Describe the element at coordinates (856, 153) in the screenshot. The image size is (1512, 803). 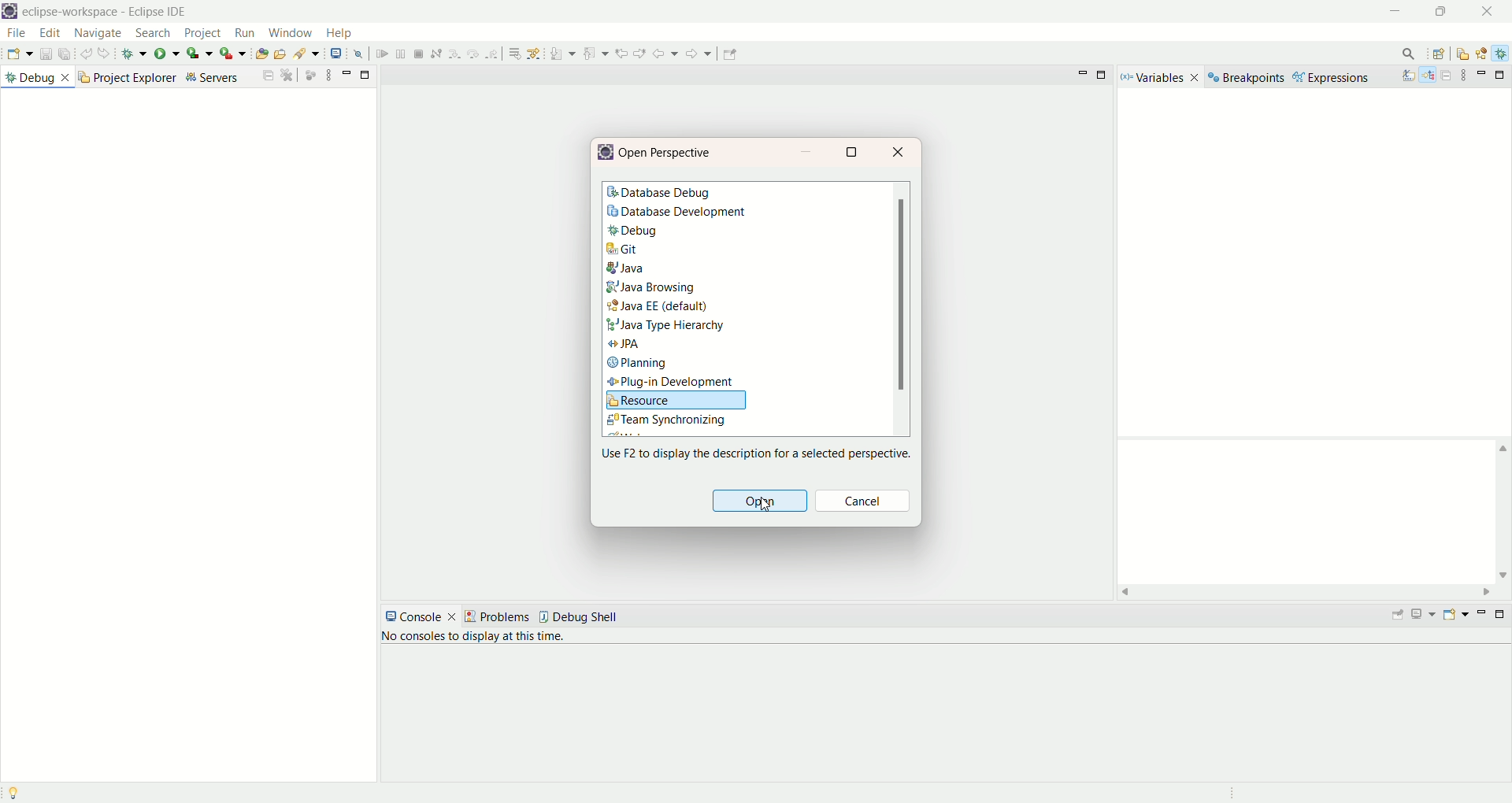
I see `maximize` at that location.